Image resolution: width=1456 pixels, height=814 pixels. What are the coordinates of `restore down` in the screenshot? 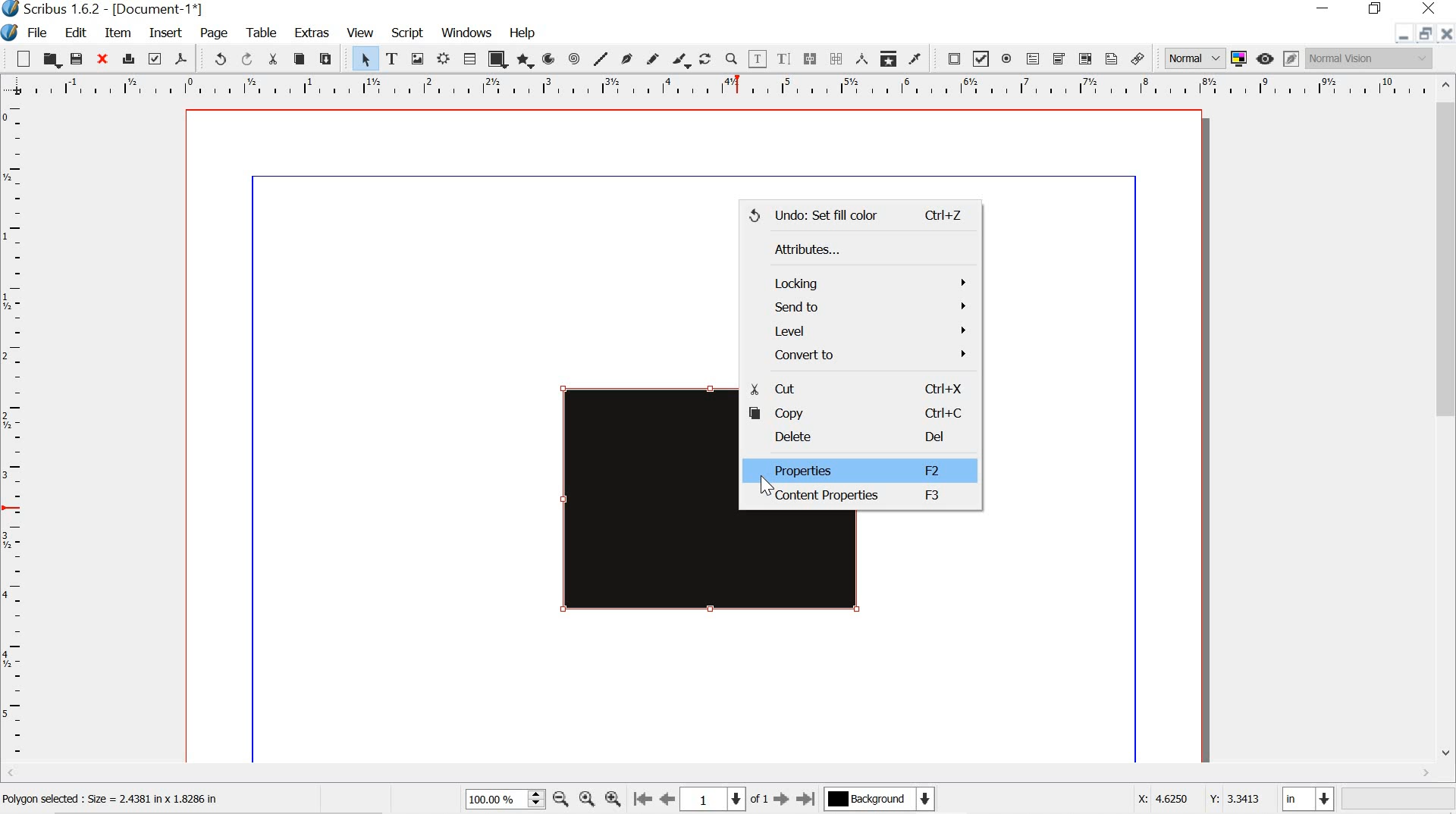 It's located at (1423, 33).